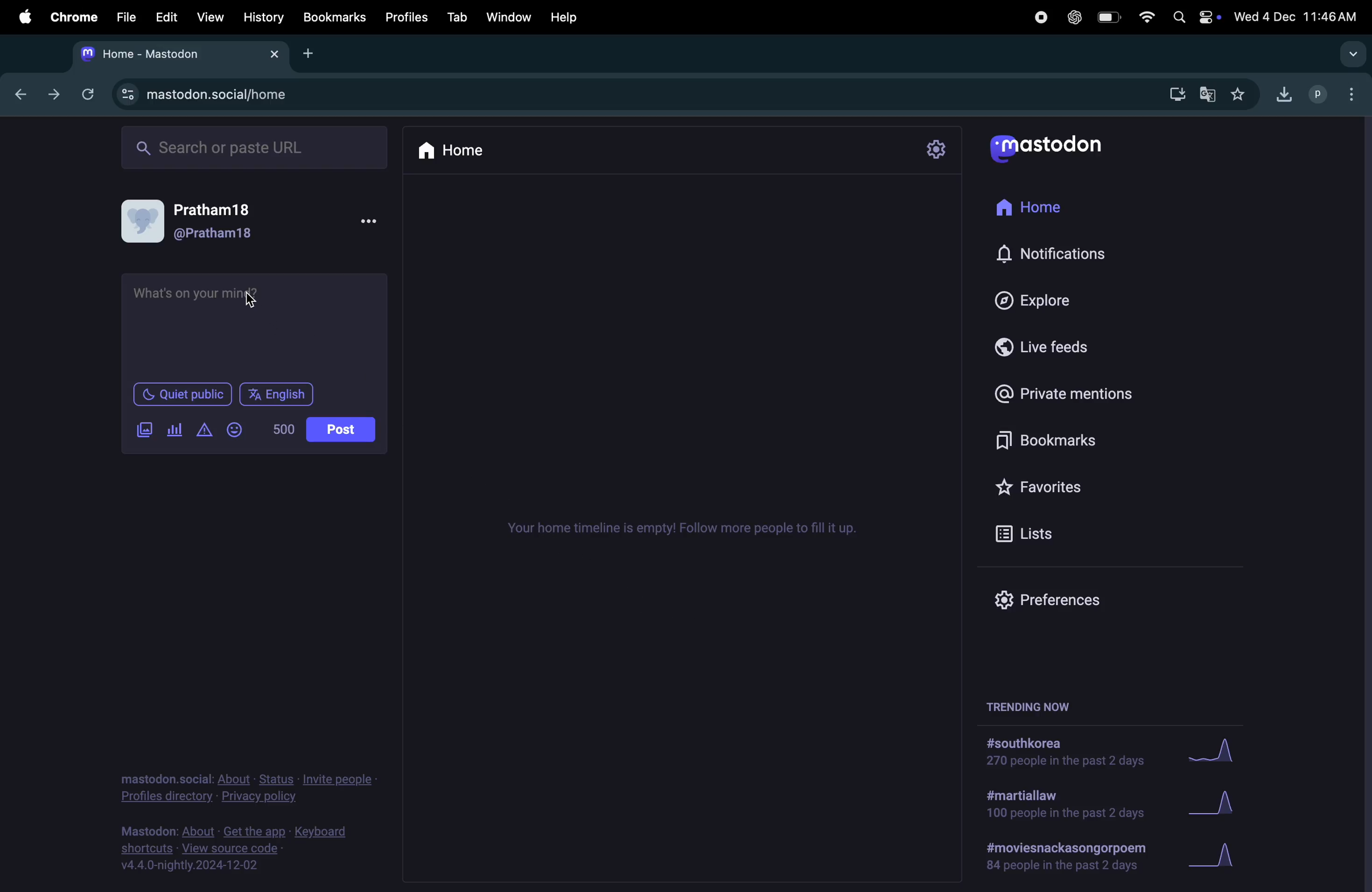 The width and height of the screenshot is (1372, 892). I want to click on trending now, so click(1031, 705).